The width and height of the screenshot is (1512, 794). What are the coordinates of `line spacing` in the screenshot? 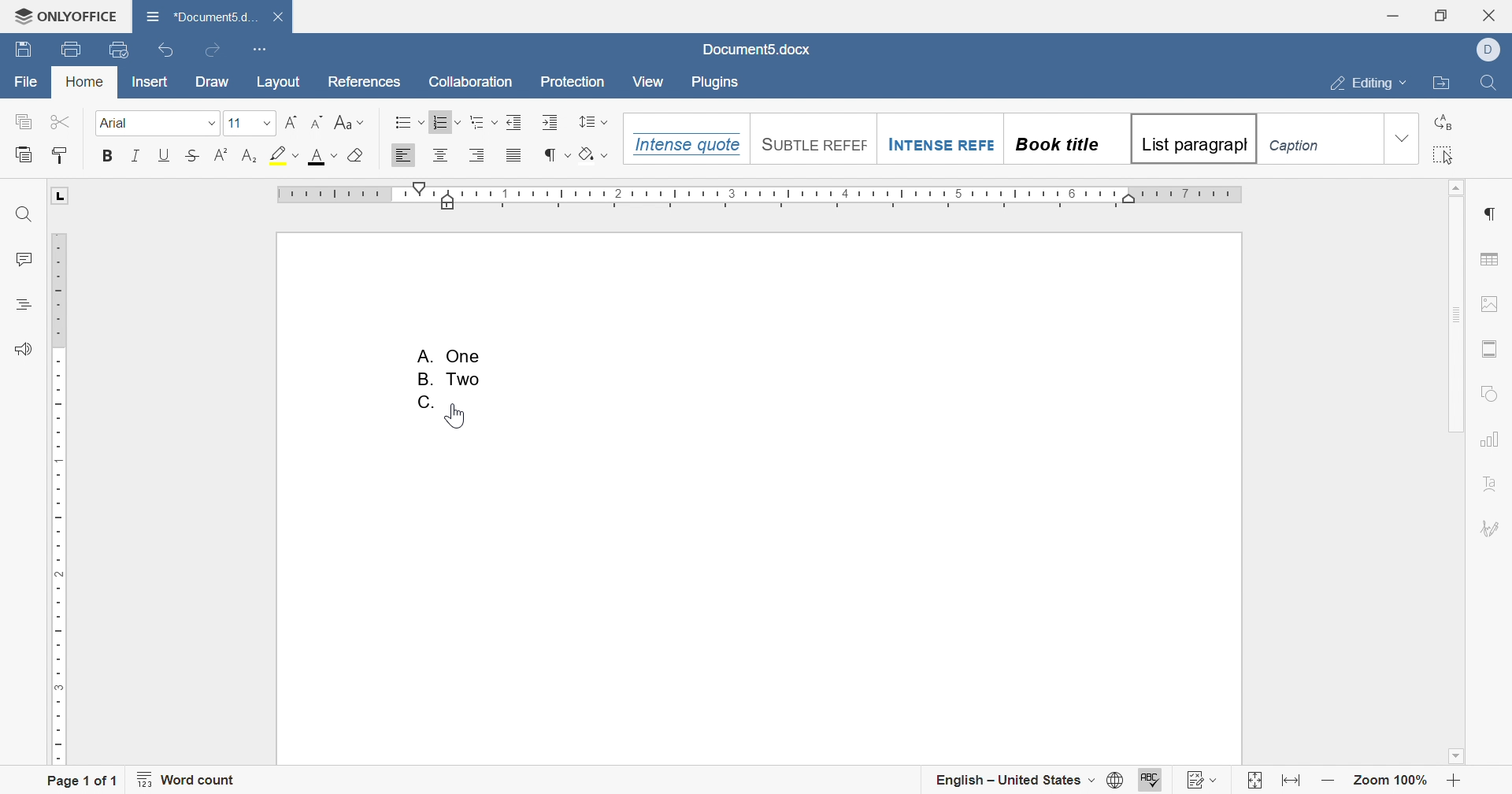 It's located at (594, 121).